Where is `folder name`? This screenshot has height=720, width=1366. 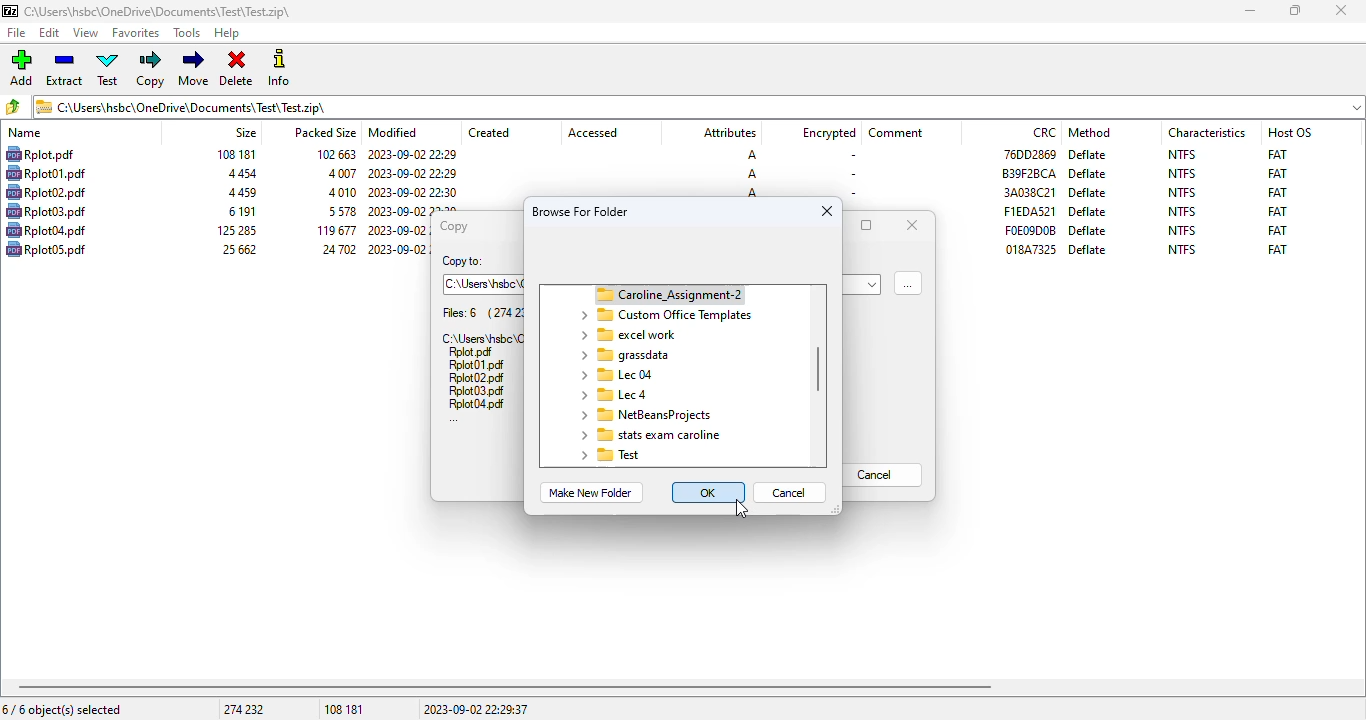
folder name is located at coordinates (644, 415).